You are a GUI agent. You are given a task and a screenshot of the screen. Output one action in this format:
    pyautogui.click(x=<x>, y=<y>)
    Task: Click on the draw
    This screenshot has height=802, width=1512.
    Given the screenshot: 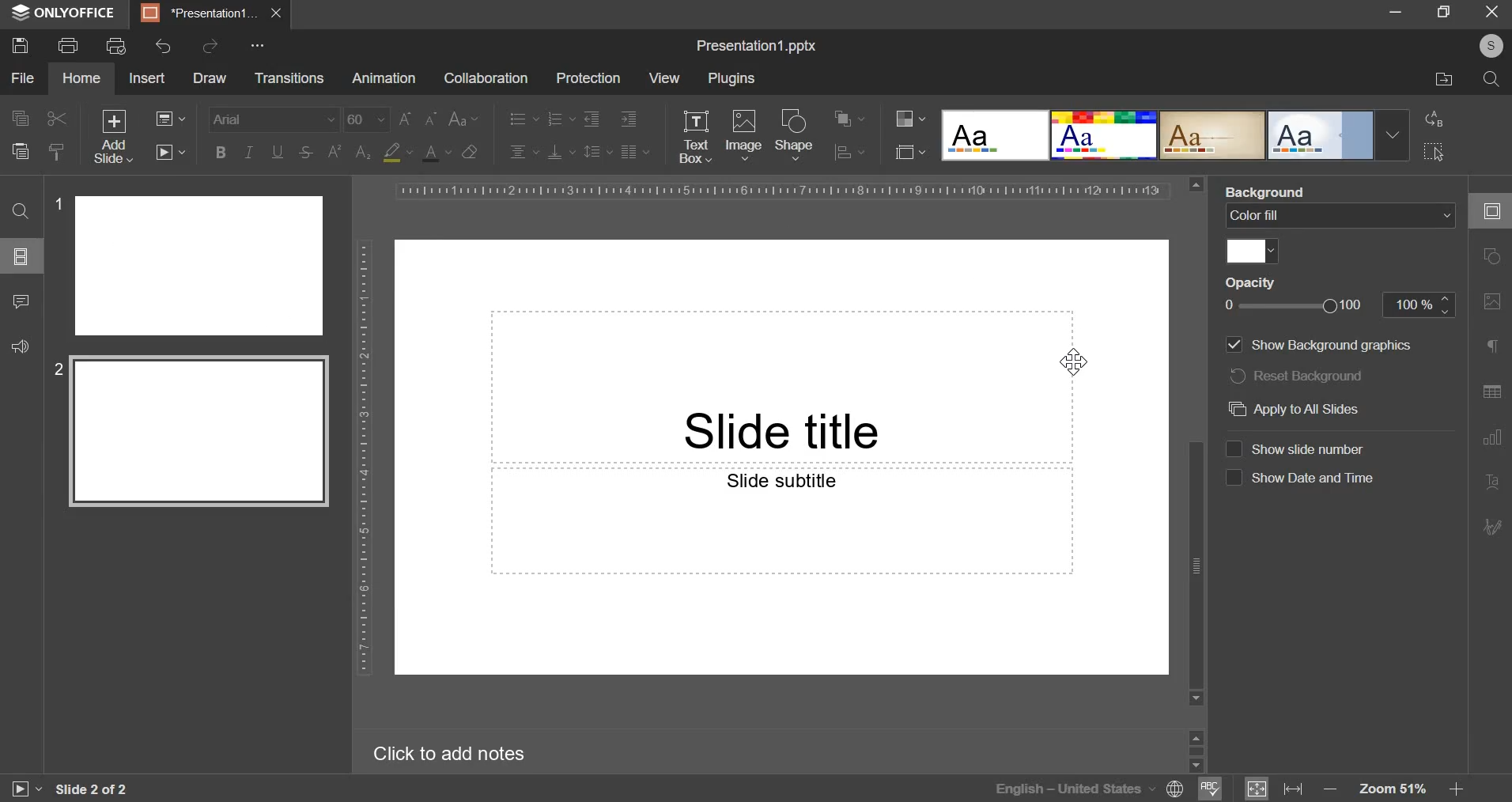 What is the action you would take?
    pyautogui.click(x=209, y=78)
    